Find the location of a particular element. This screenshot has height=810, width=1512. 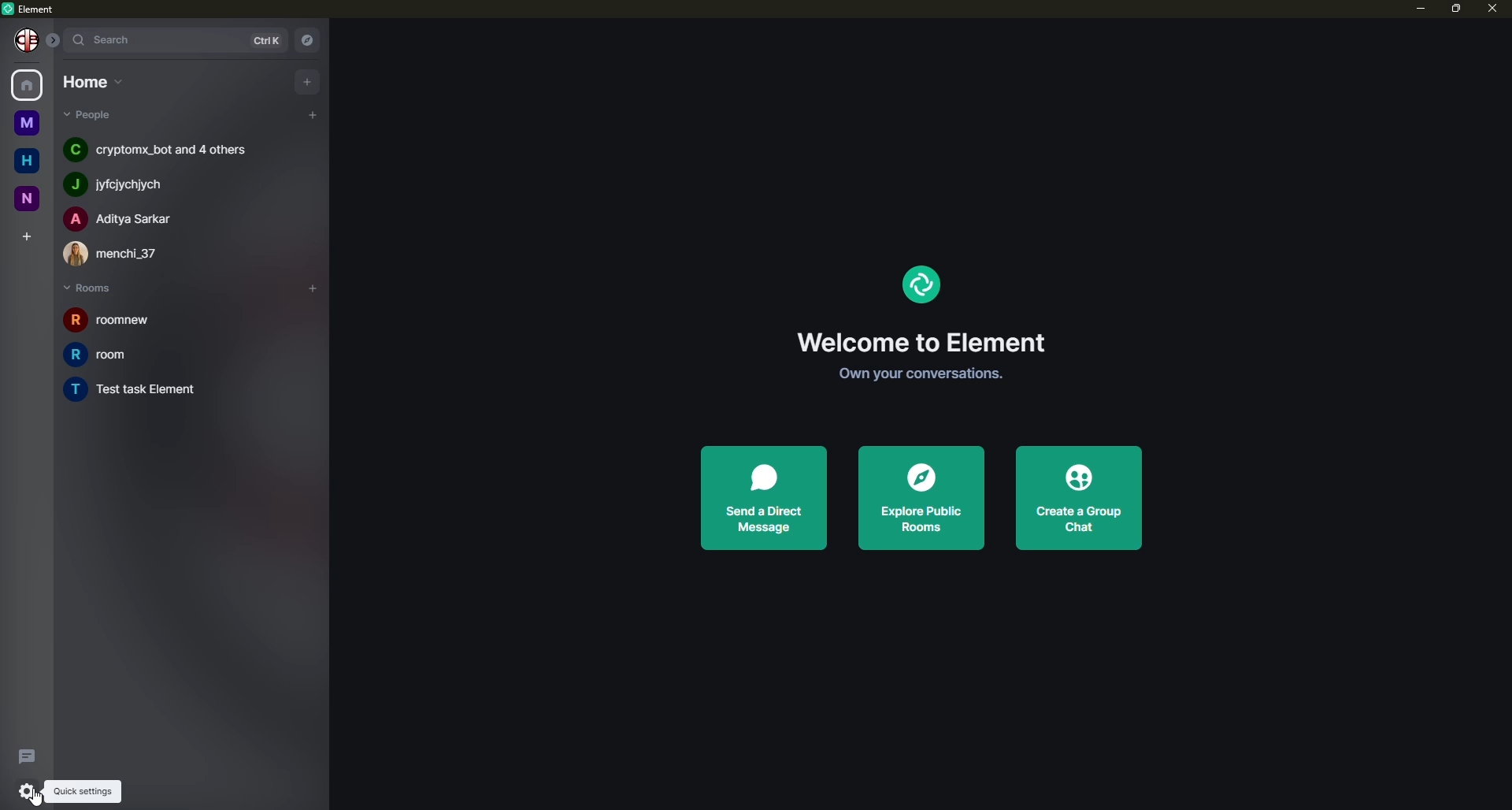

navigator is located at coordinates (310, 39).